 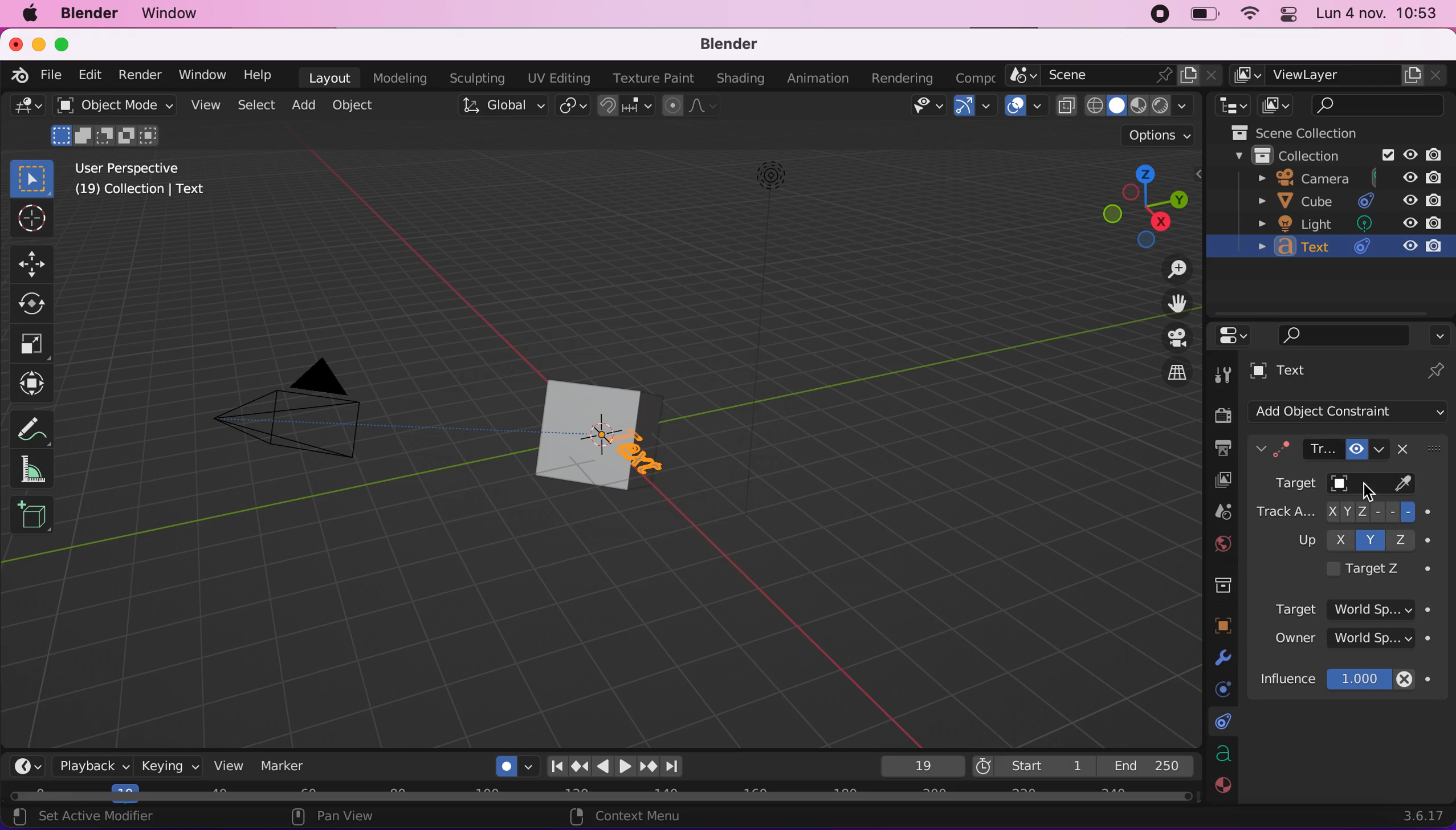 What do you see at coordinates (17, 44) in the screenshot?
I see `close` at bounding box center [17, 44].